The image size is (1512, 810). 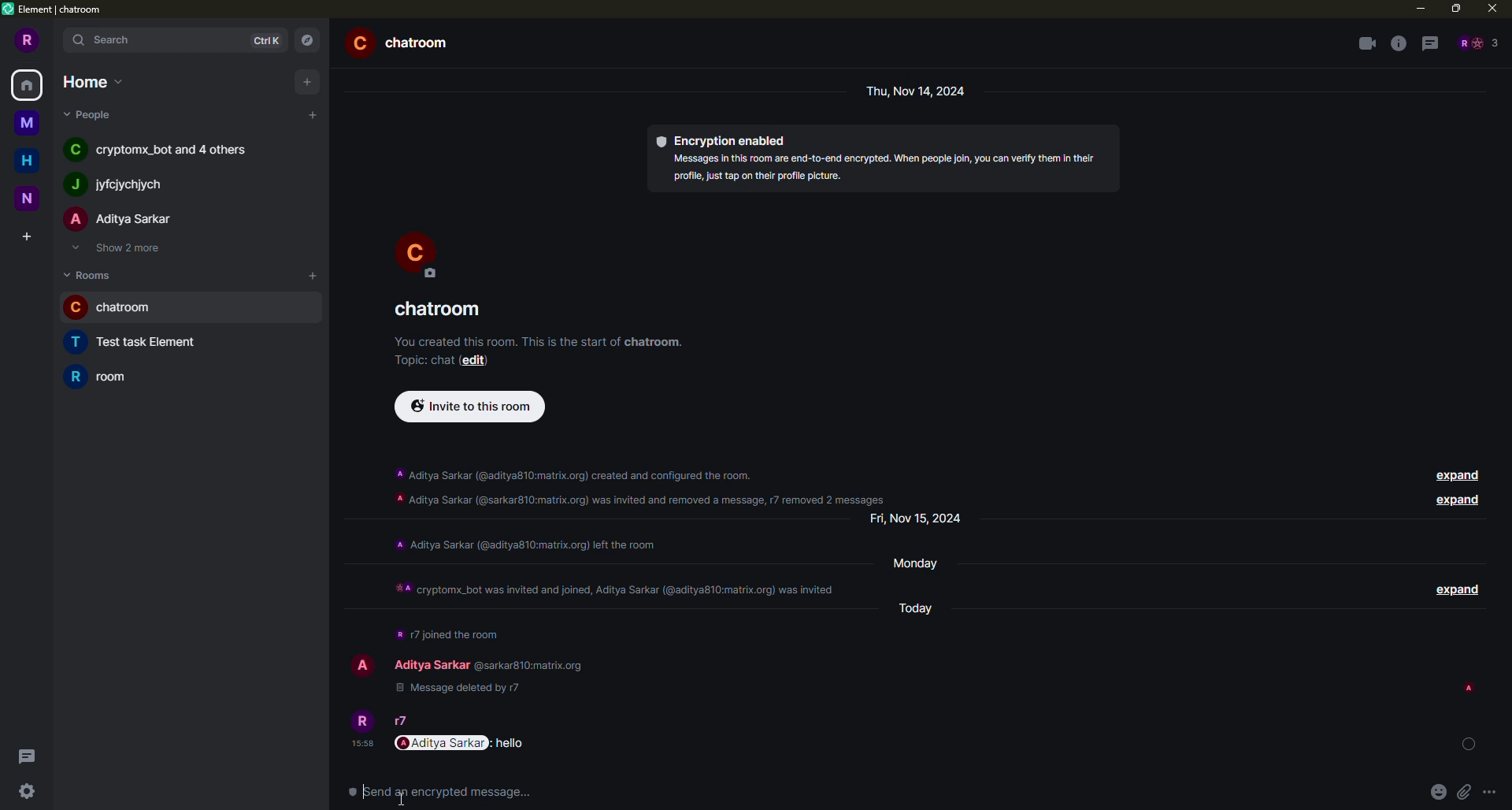 What do you see at coordinates (1492, 8) in the screenshot?
I see `close` at bounding box center [1492, 8].